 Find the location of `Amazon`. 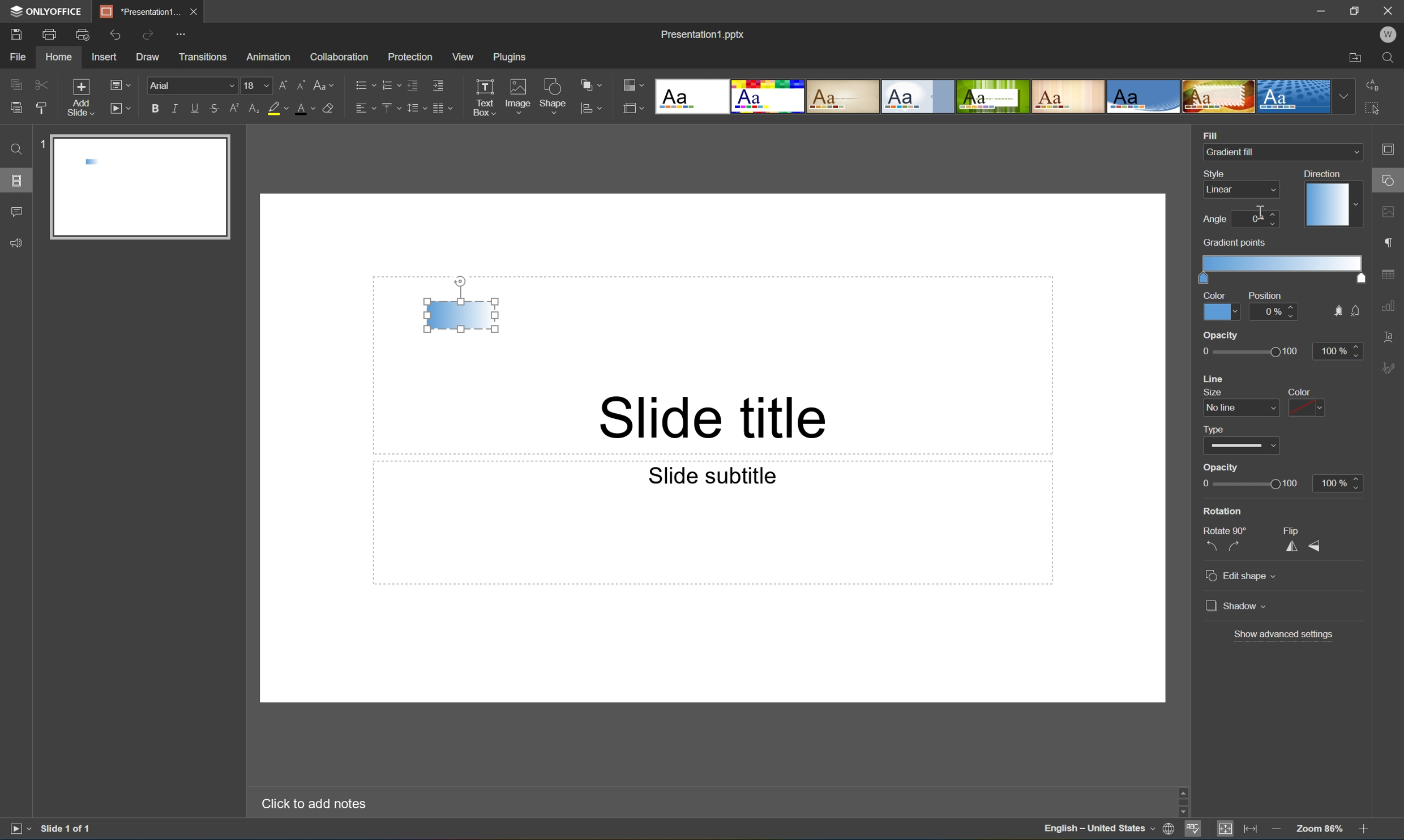

Amazon is located at coordinates (269, 55).